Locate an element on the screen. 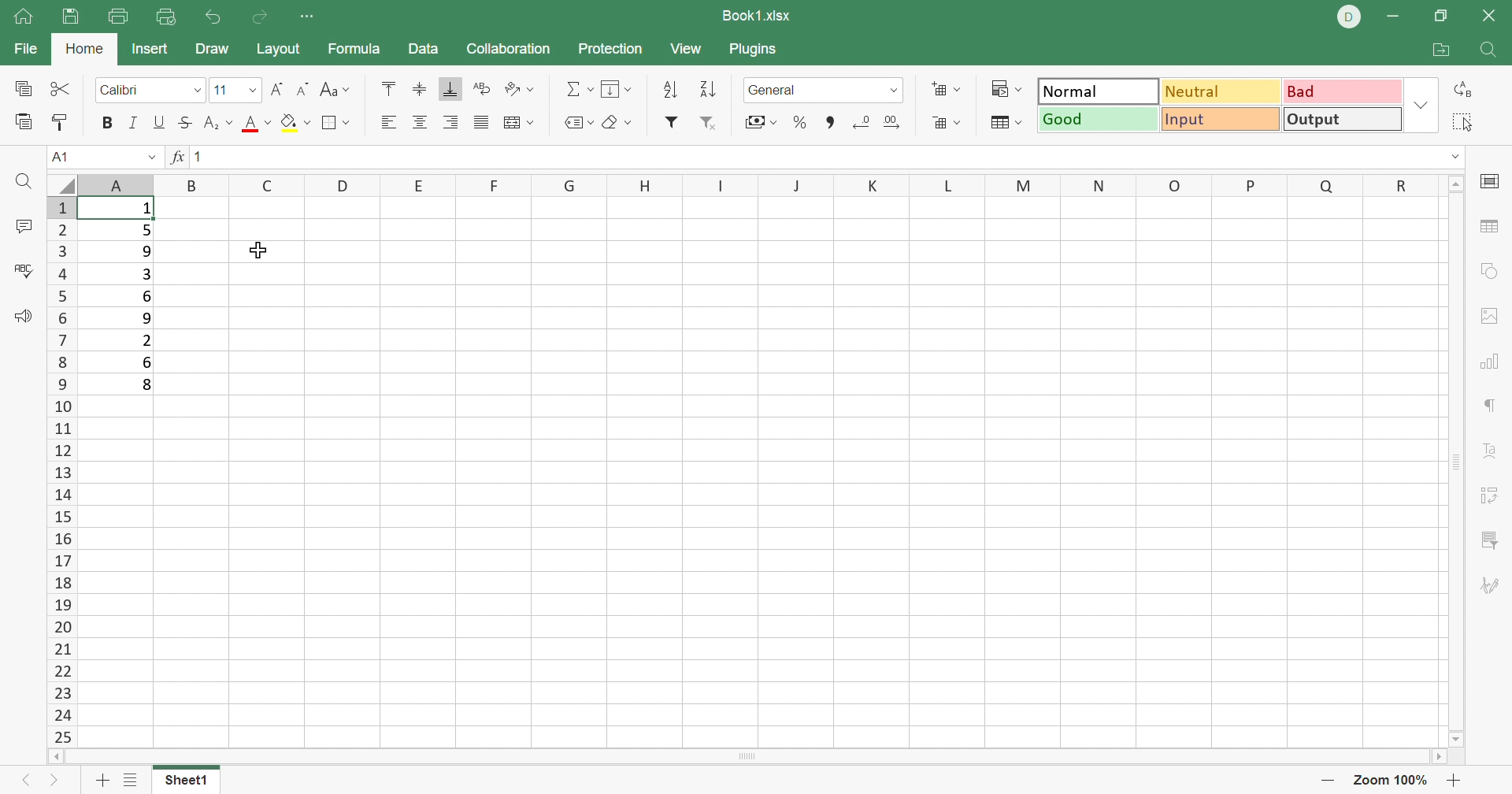  9 is located at coordinates (150, 317).